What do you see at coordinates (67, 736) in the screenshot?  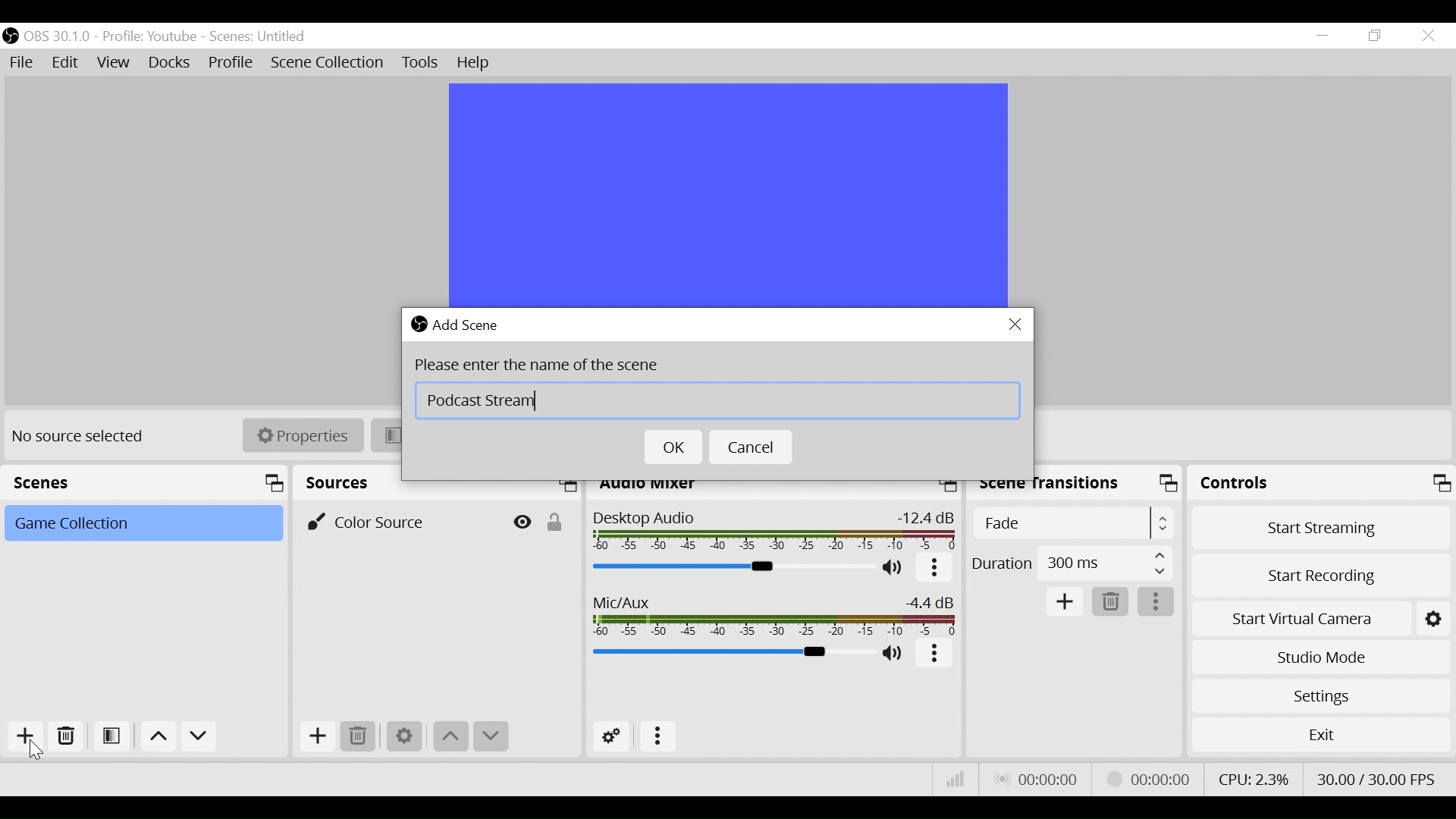 I see `Delete` at bounding box center [67, 736].